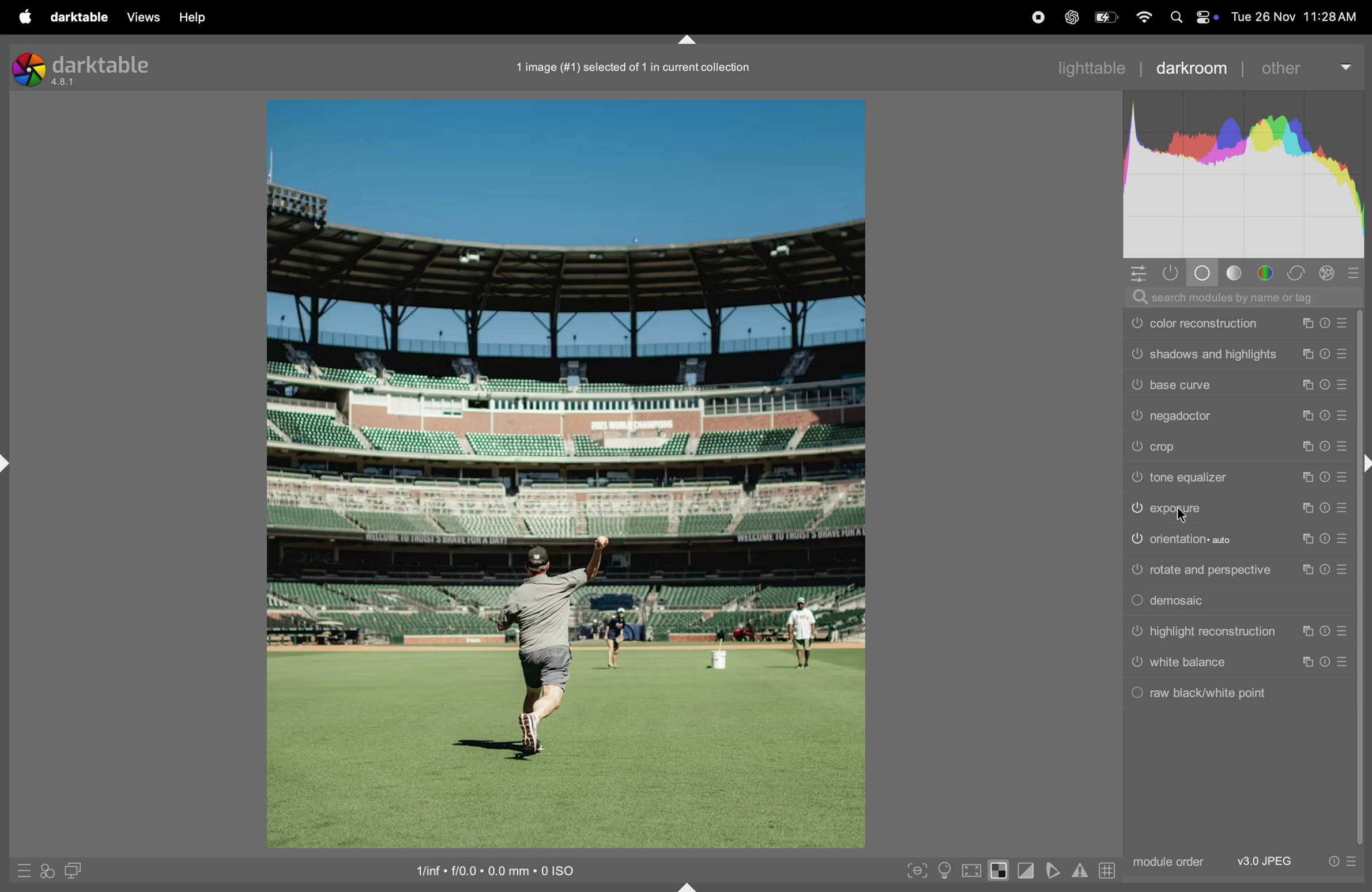 The image size is (1372, 892). Describe the element at coordinates (9, 464) in the screenshot. I see `expand or collapse ` at that location.